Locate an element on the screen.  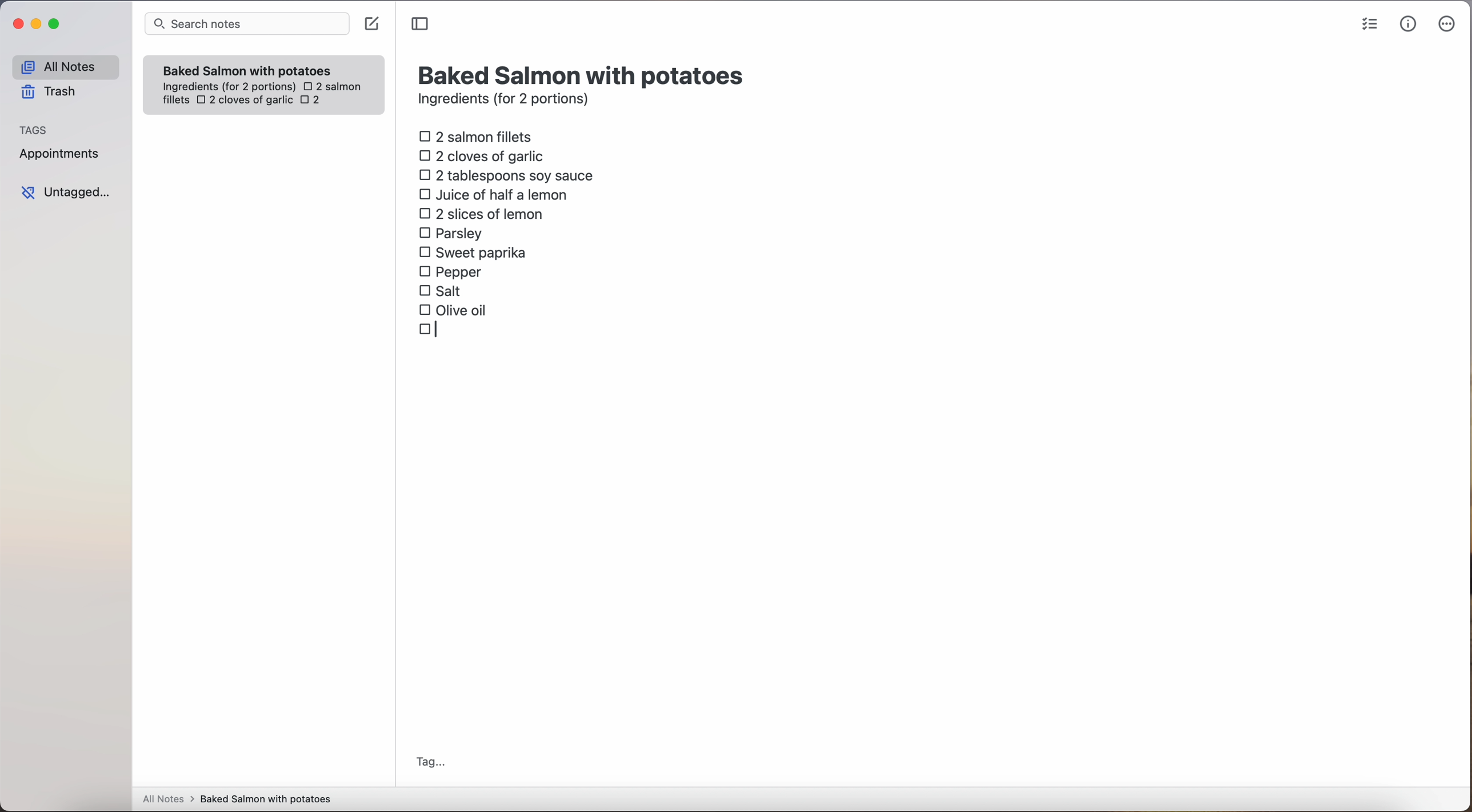
minimize Simplenote is located at coordinates (36, 25).